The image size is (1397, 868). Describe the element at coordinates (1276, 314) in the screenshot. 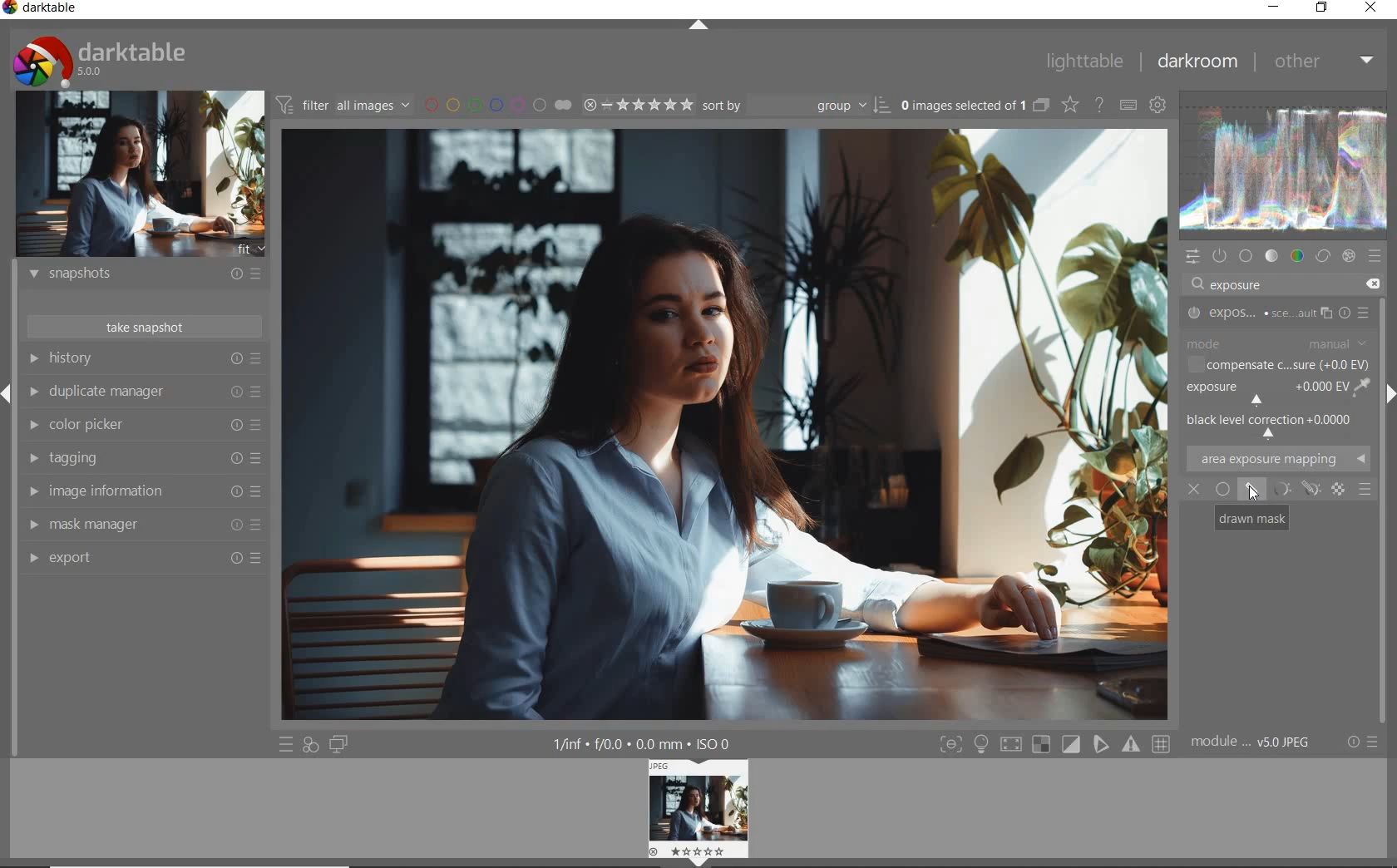

I see `EXPOSURE` at that location.